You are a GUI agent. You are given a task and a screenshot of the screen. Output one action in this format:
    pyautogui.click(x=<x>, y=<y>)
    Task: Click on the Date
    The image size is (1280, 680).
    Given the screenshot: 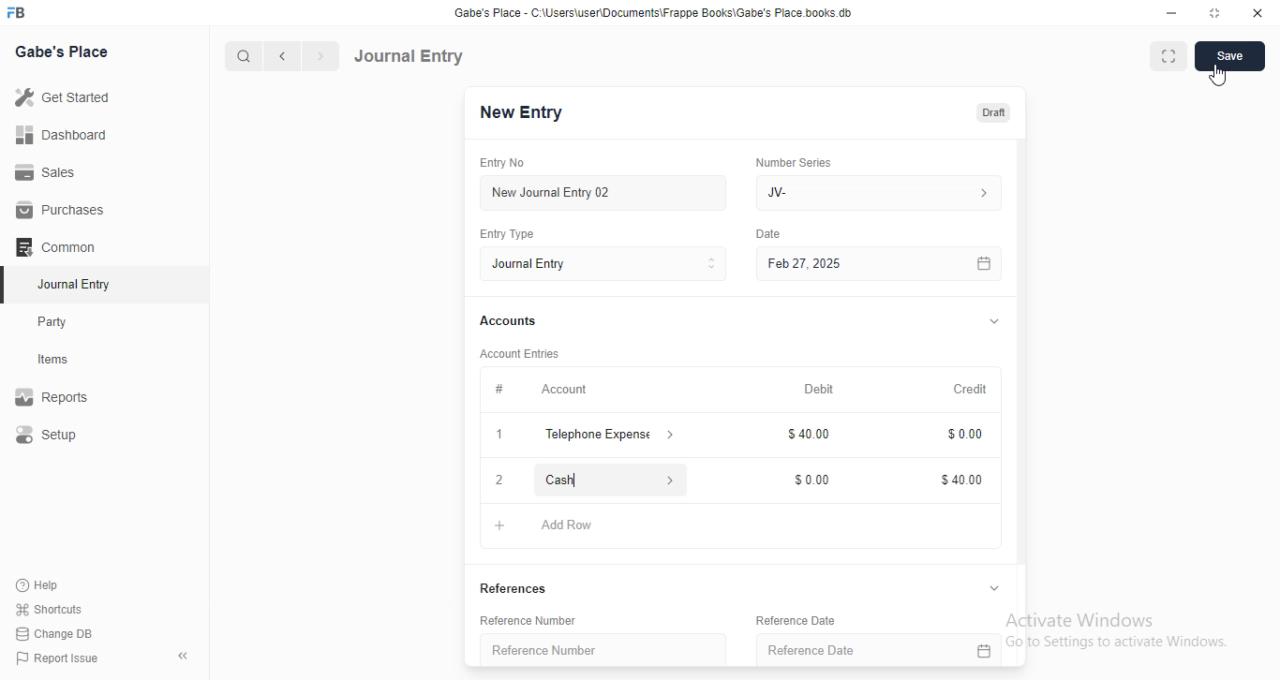 What is the action you would take?
    pyautogui.click(x=772, y=232)
    